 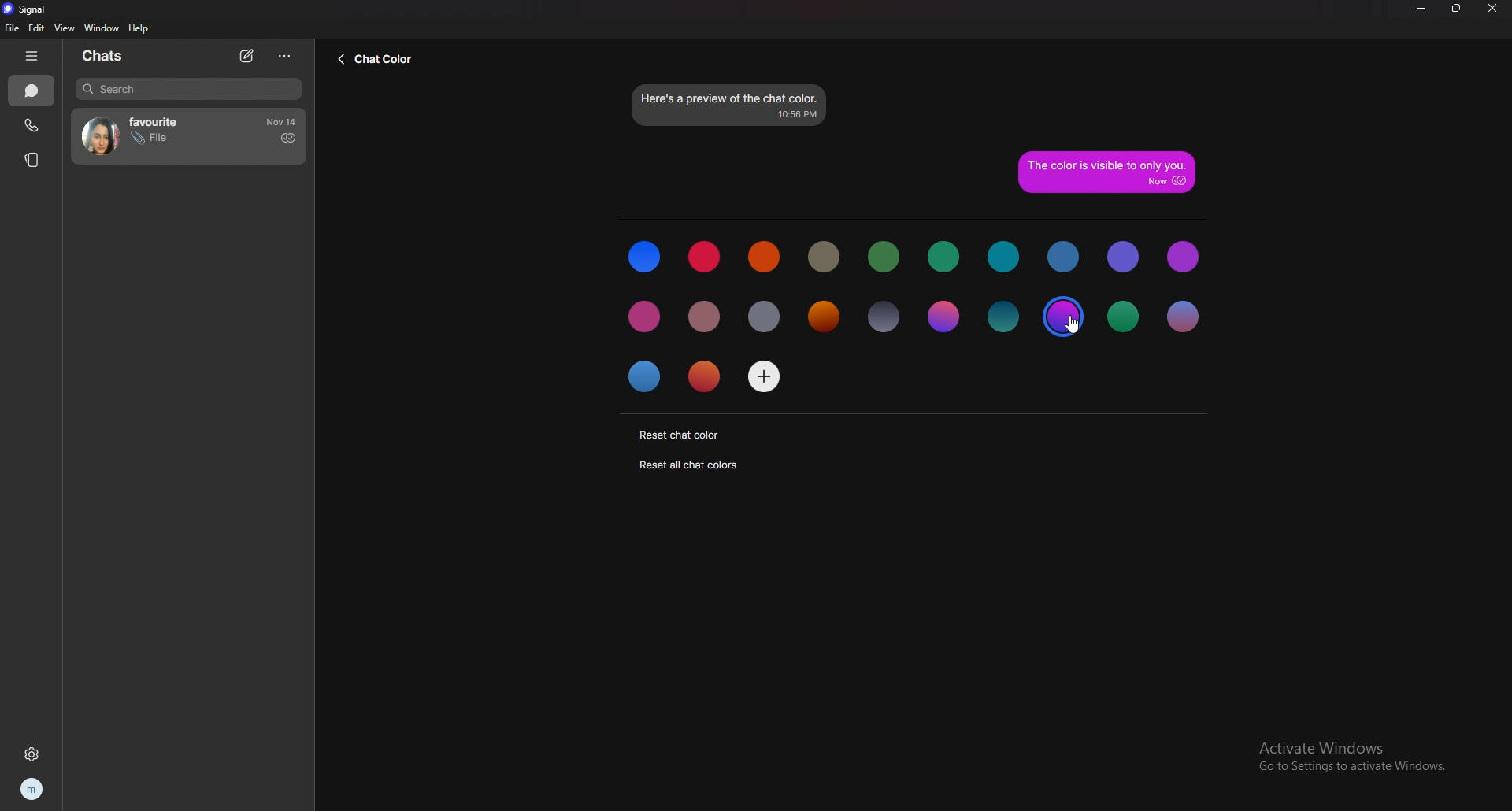 What do you see at coordinates (764, 375) in the screenshot?
I see `add color` at bounding box center [764, 375].